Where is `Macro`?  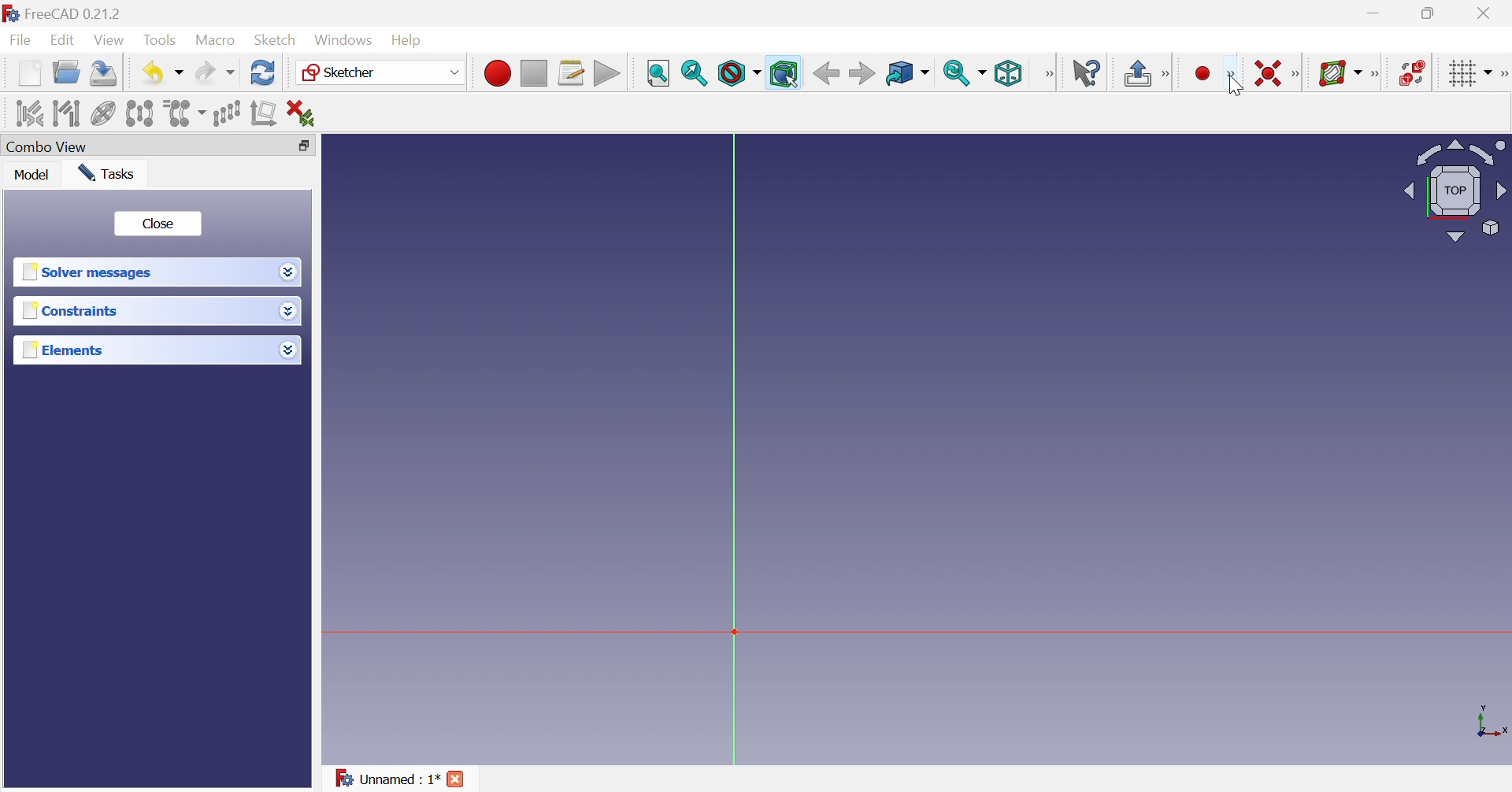 Macro is located at coordinates (213, 40).